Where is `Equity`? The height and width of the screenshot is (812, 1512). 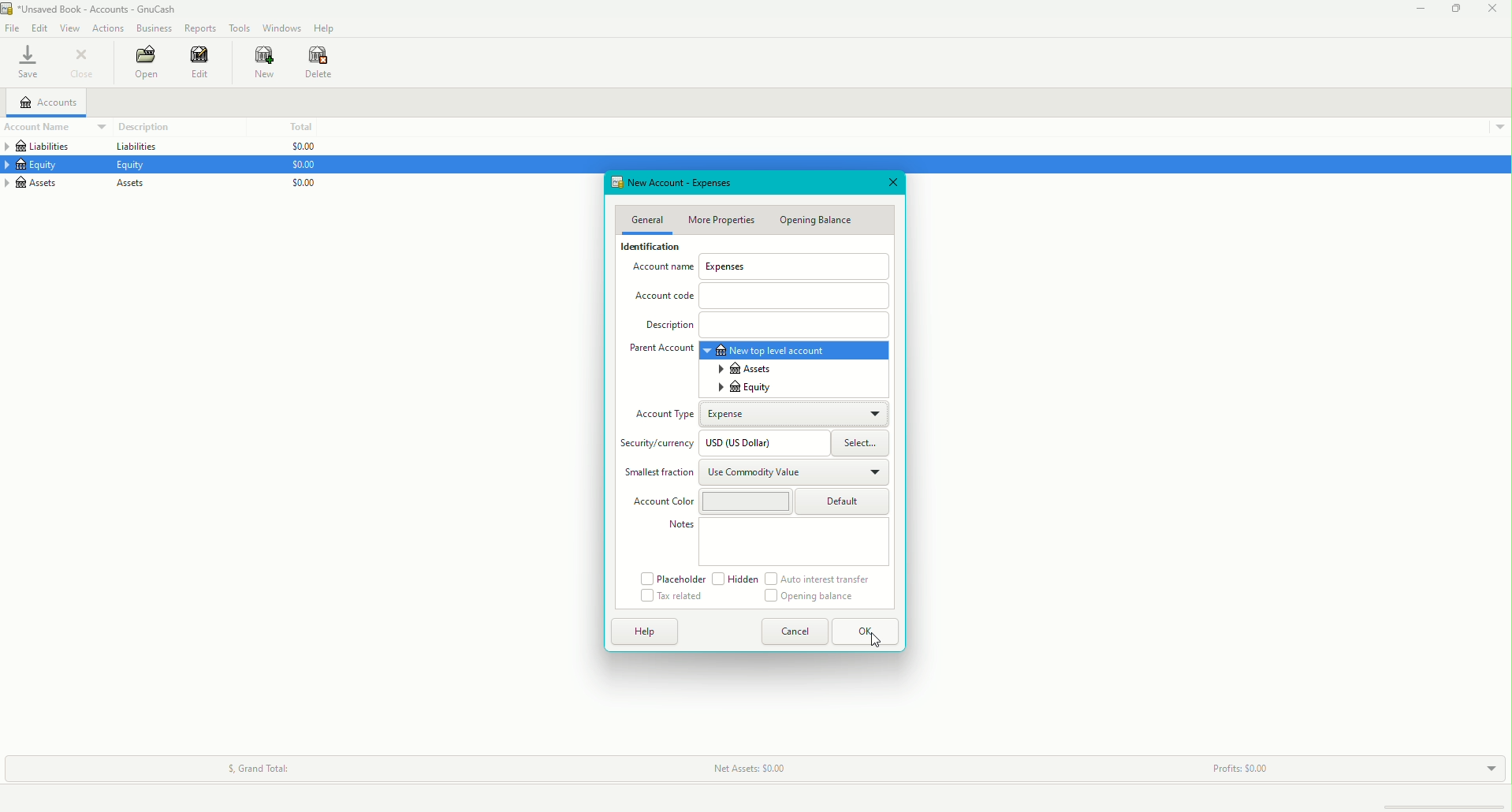 Equity is located at coordinates (40, 166).